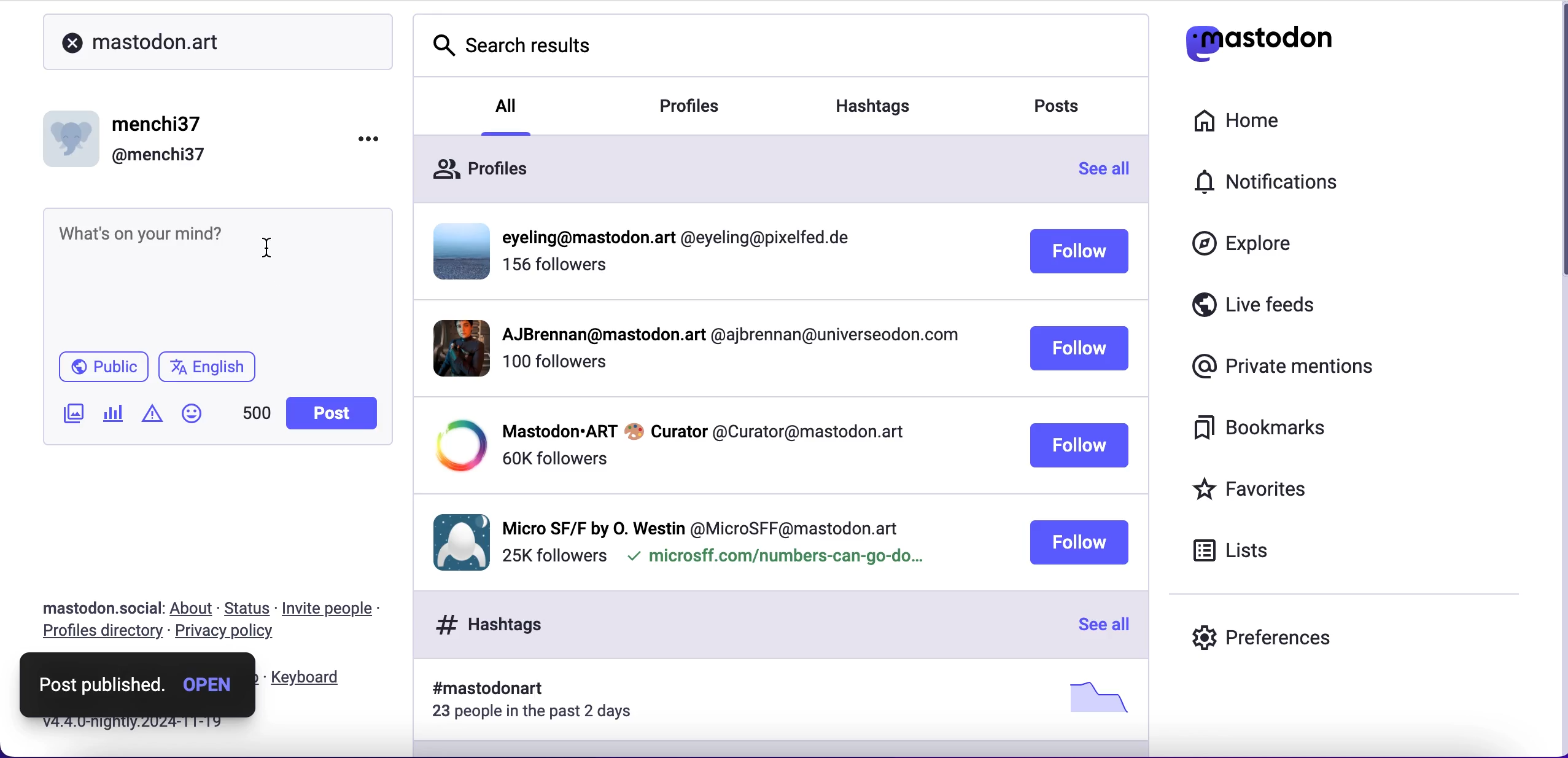 The width and height of the screenshot is (1568, 758). What do you see at coordinates (194, 609) in the screenshot?
I see `about` at bounding box center [194, 609].